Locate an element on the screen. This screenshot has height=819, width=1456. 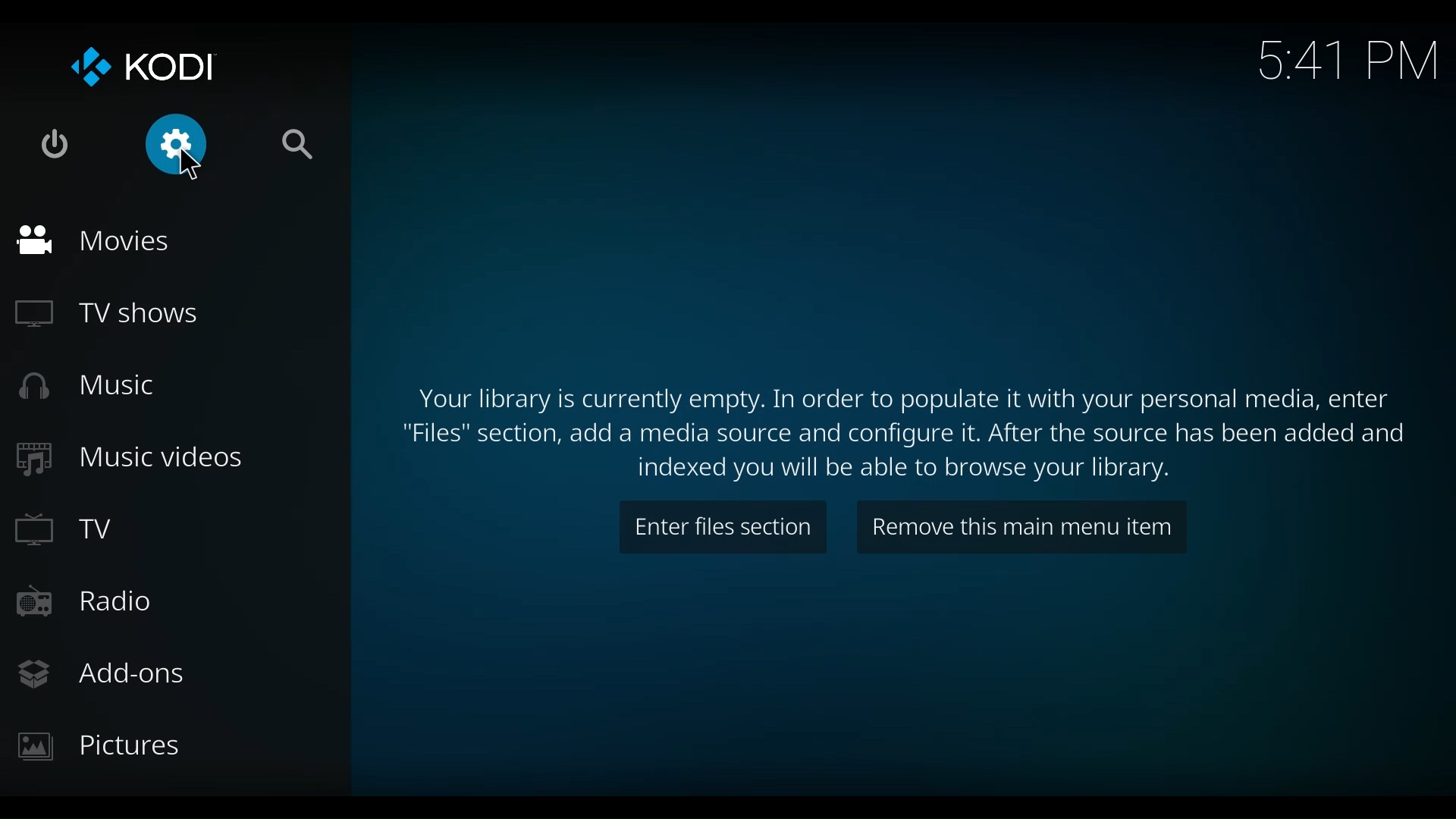
 is located at coordinates (147, 65).